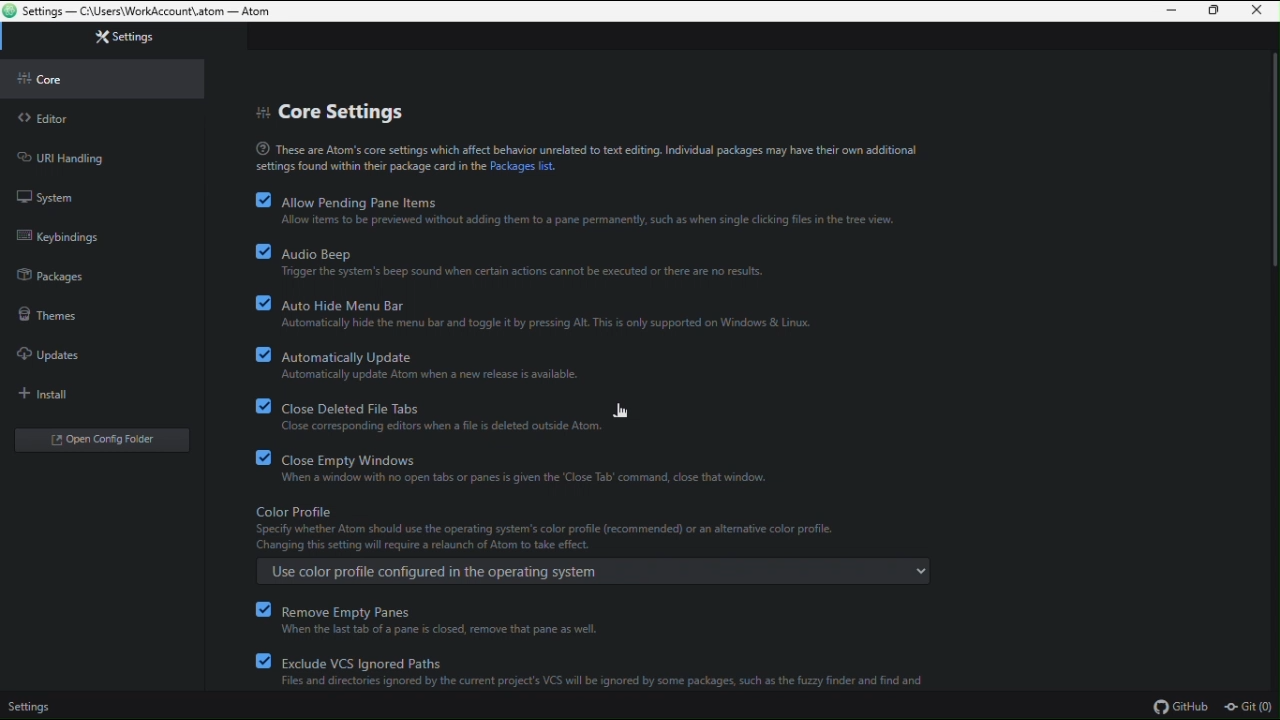  I want to click on checkbox, so click(261, 607).